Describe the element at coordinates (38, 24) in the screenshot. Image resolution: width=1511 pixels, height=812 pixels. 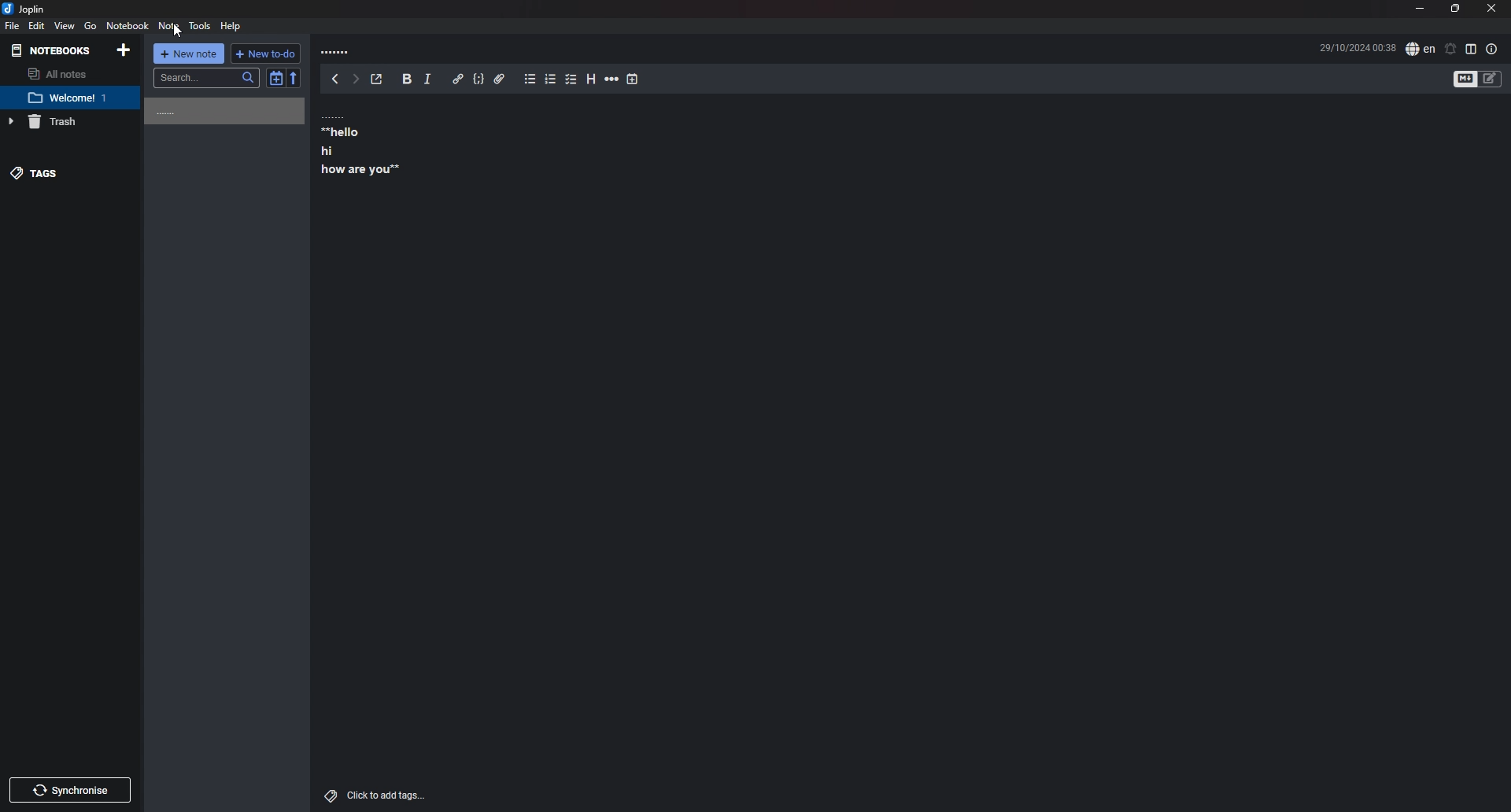
I see `Edit` at that location.